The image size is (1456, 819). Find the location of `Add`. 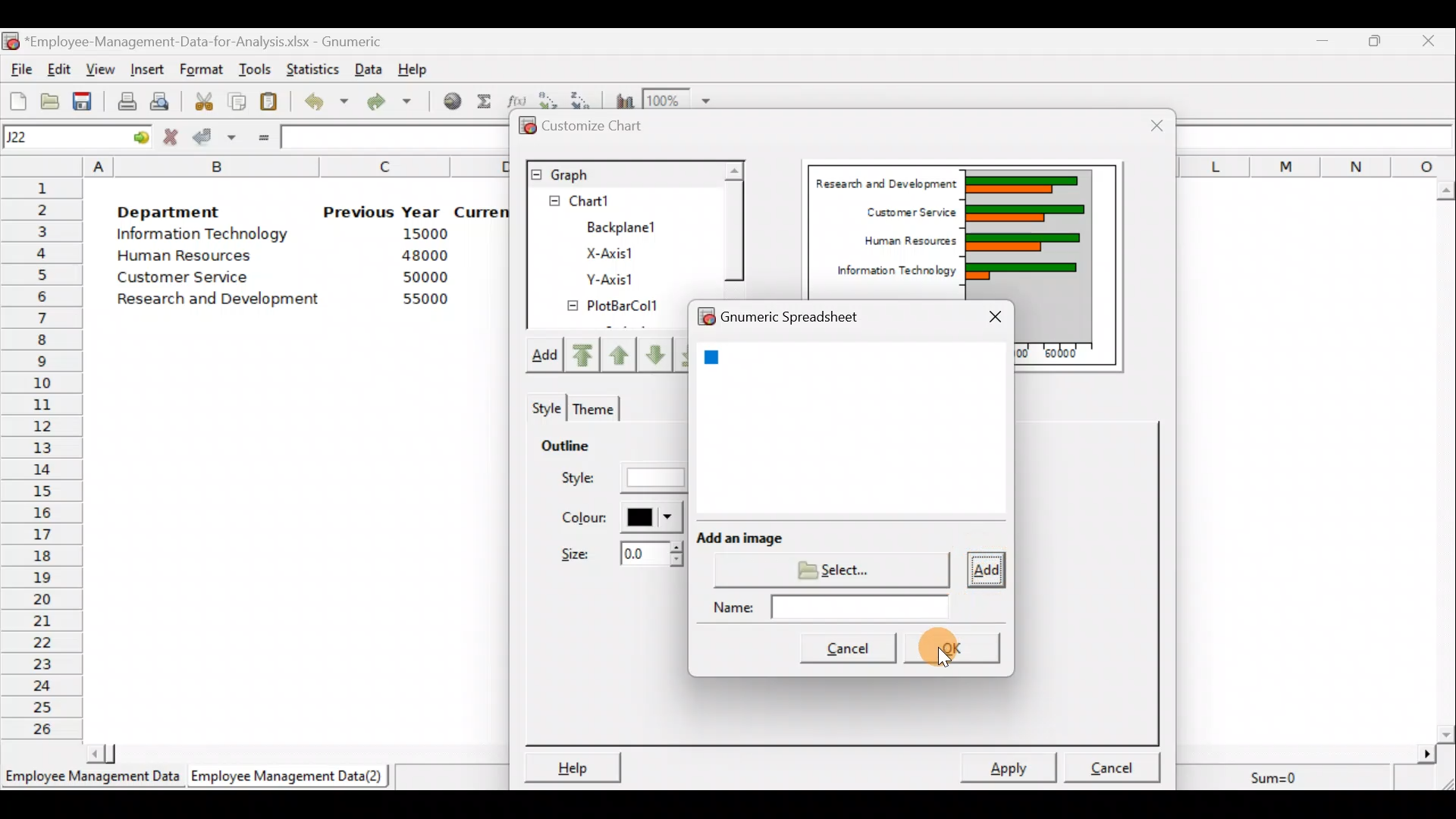

Add is located at coordinates (549, 356).